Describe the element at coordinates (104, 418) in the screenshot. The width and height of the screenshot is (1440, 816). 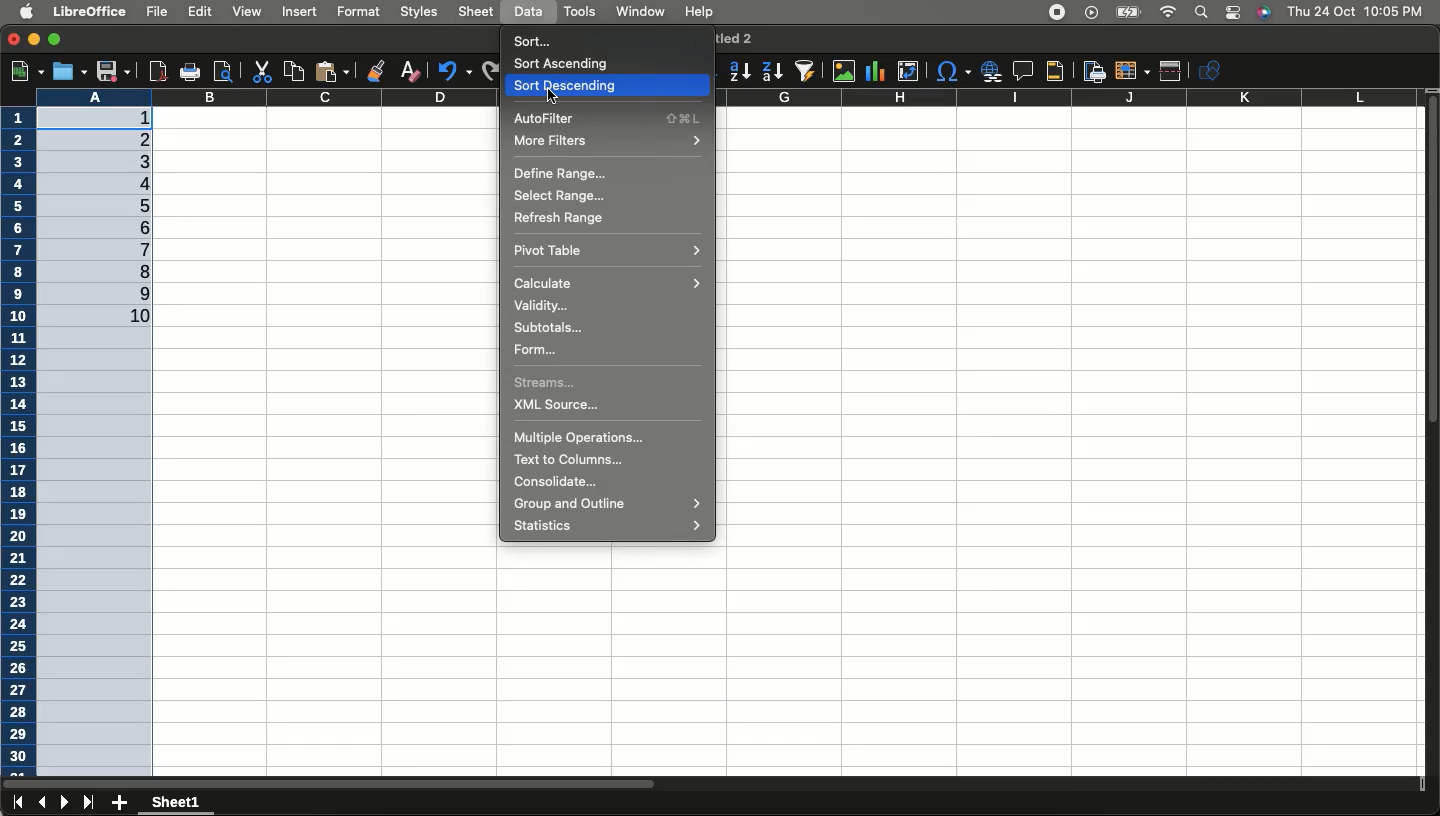
I see `Column A selected` at that location.